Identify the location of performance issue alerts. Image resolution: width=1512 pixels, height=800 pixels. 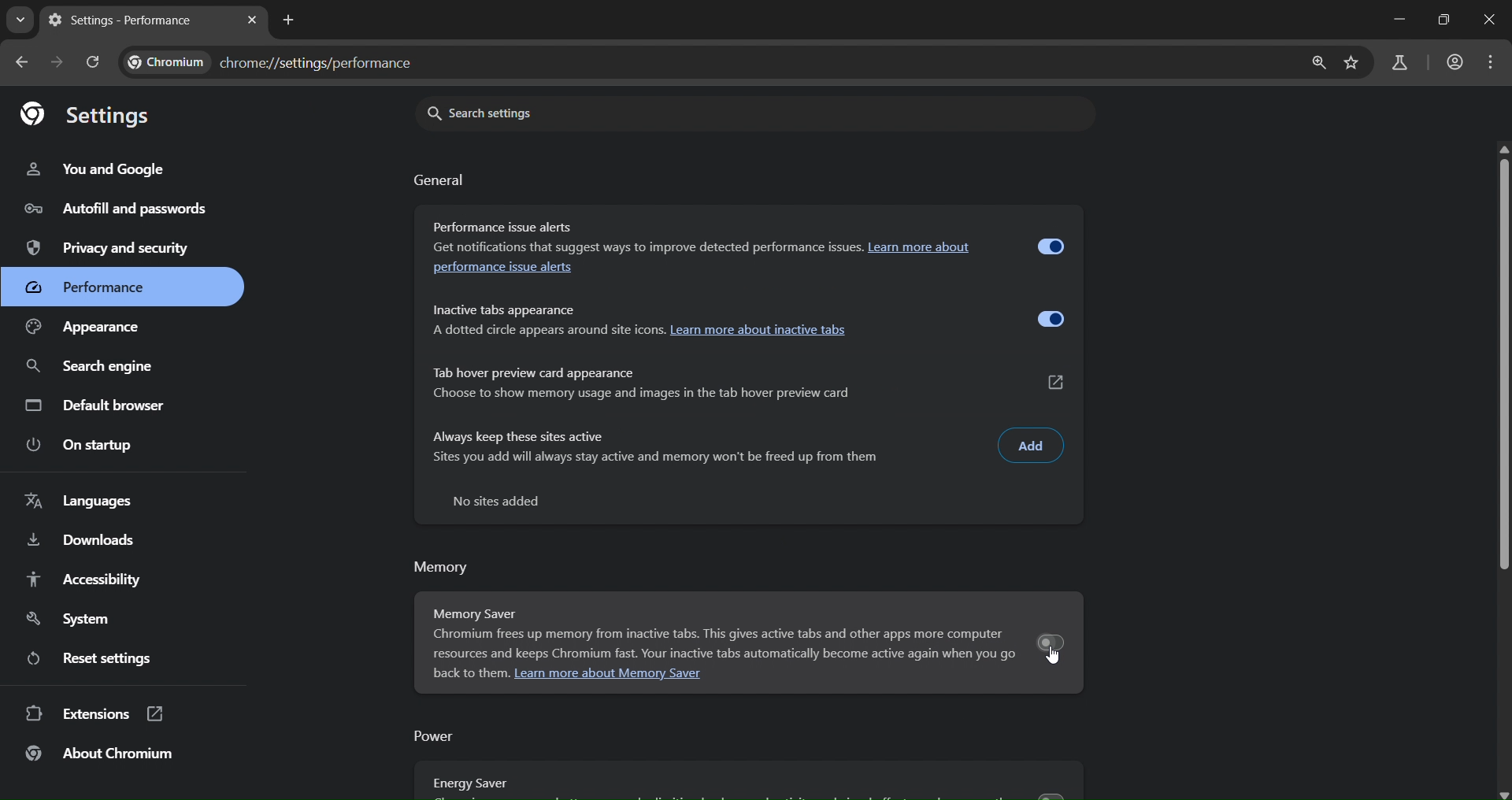
(505, 272).